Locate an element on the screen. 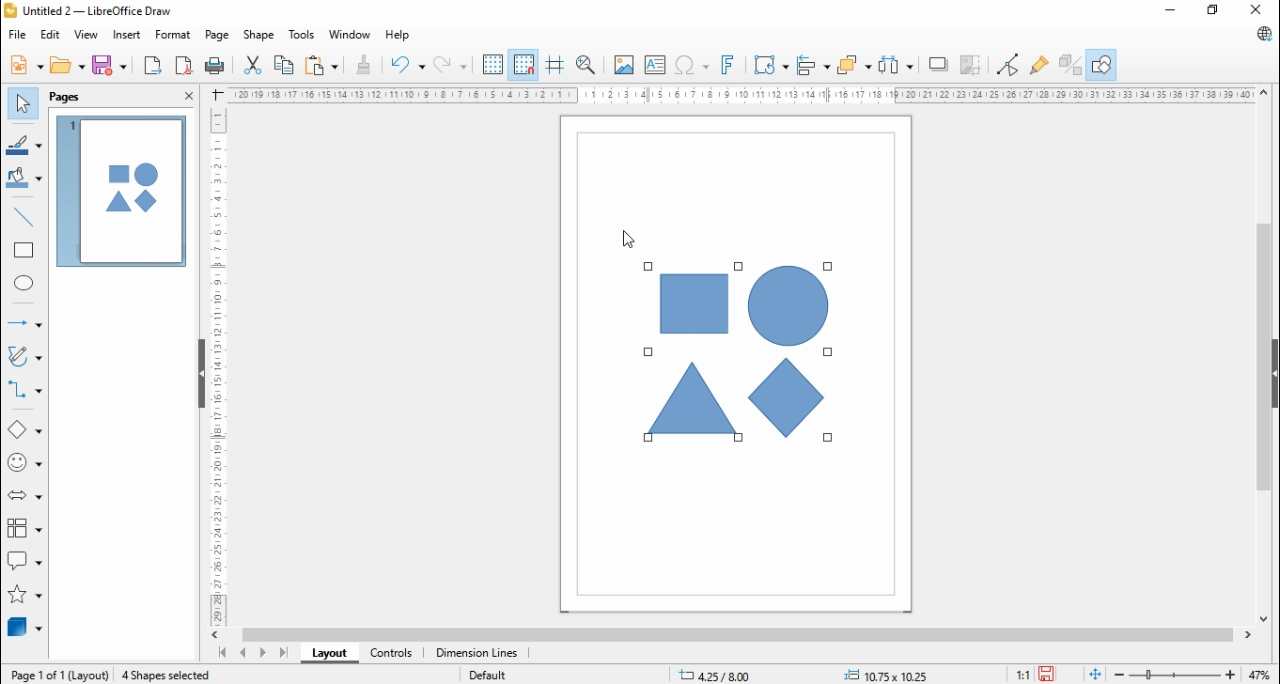 This screenshot has width=1280, height=684. copy is located at coordinates (285, 63).